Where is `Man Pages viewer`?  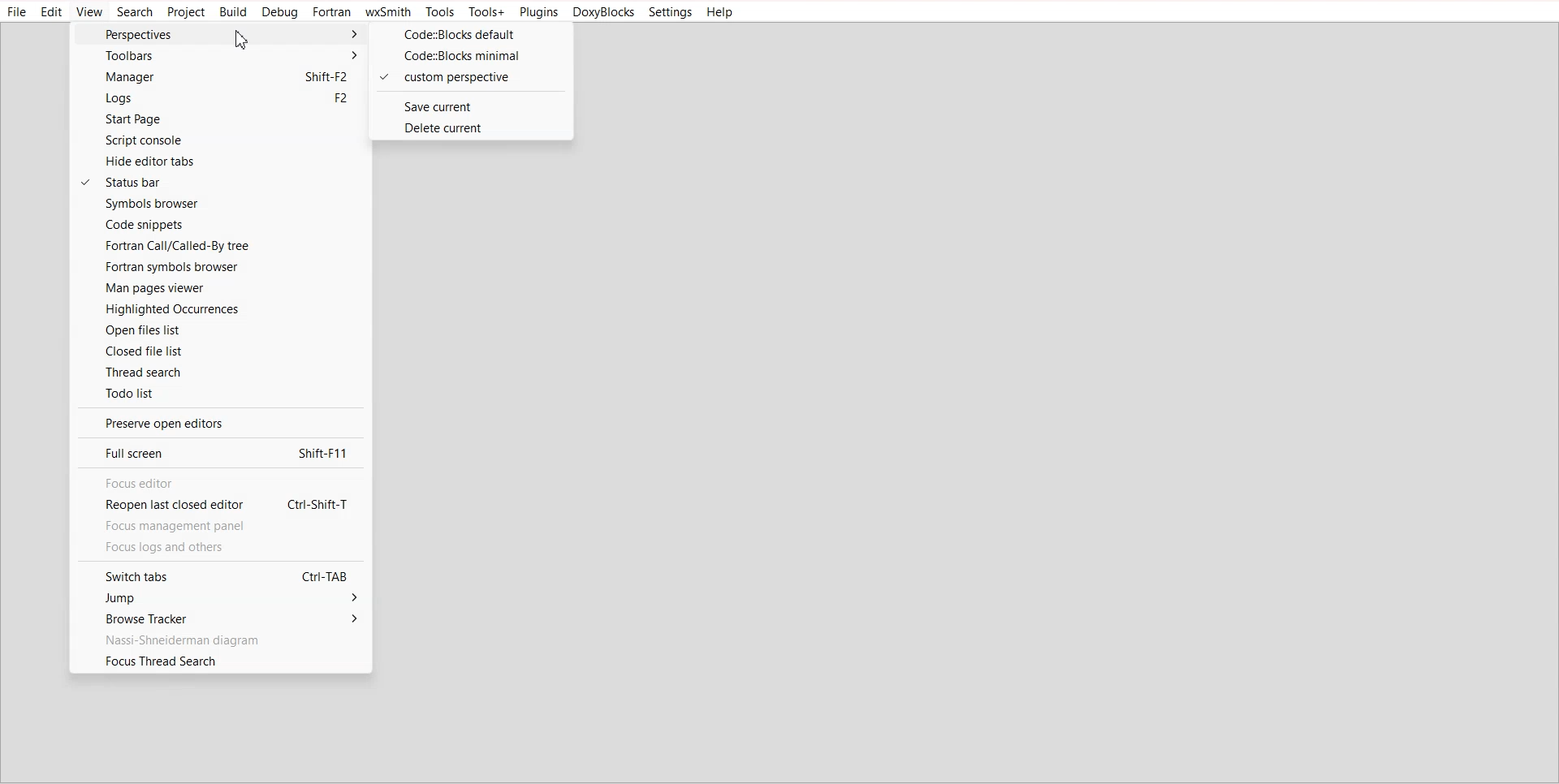 Man Pages viewer is located at coordinates (219, 288).